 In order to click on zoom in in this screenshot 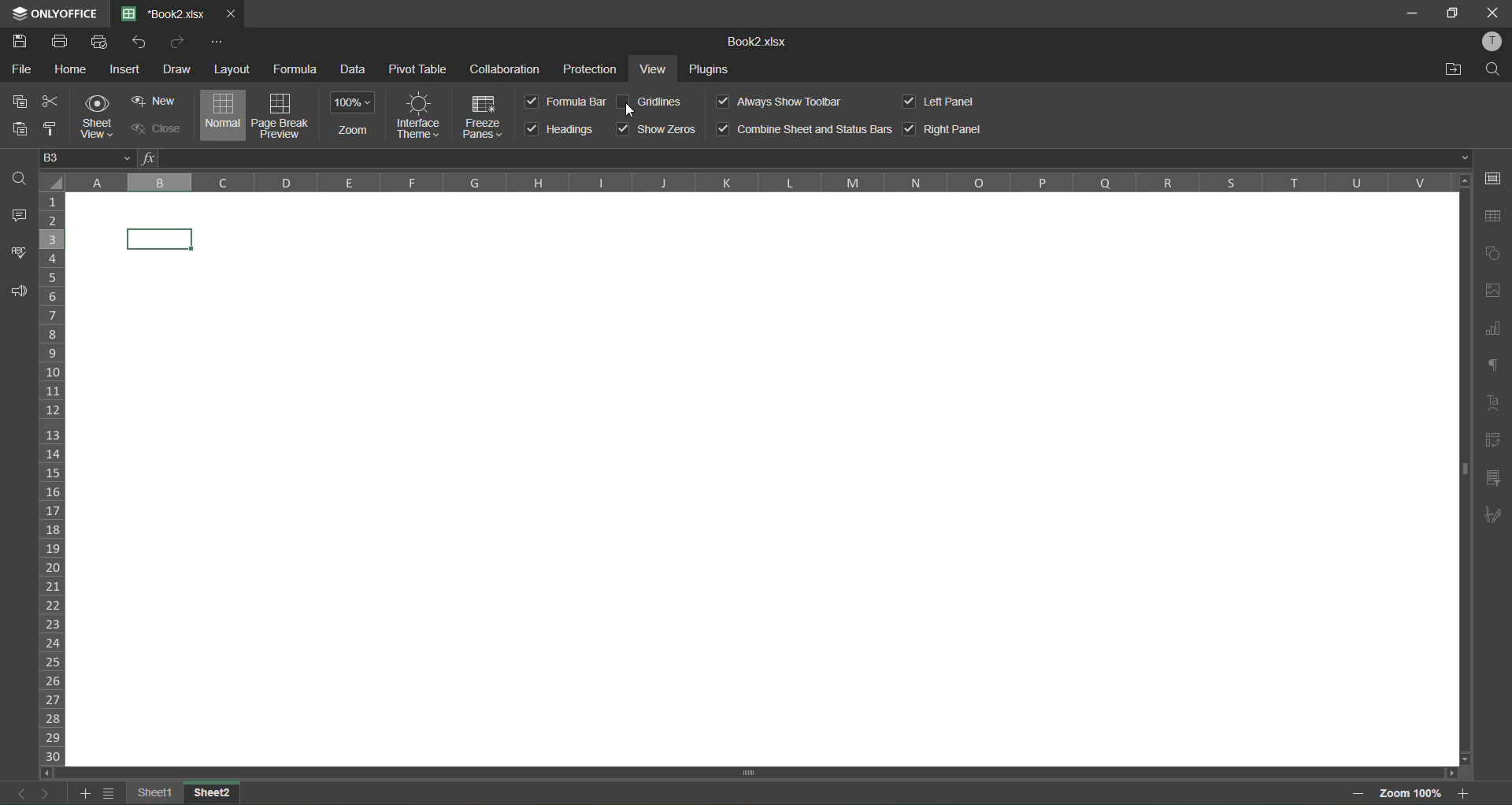, I will do `click(1466, 793)`.